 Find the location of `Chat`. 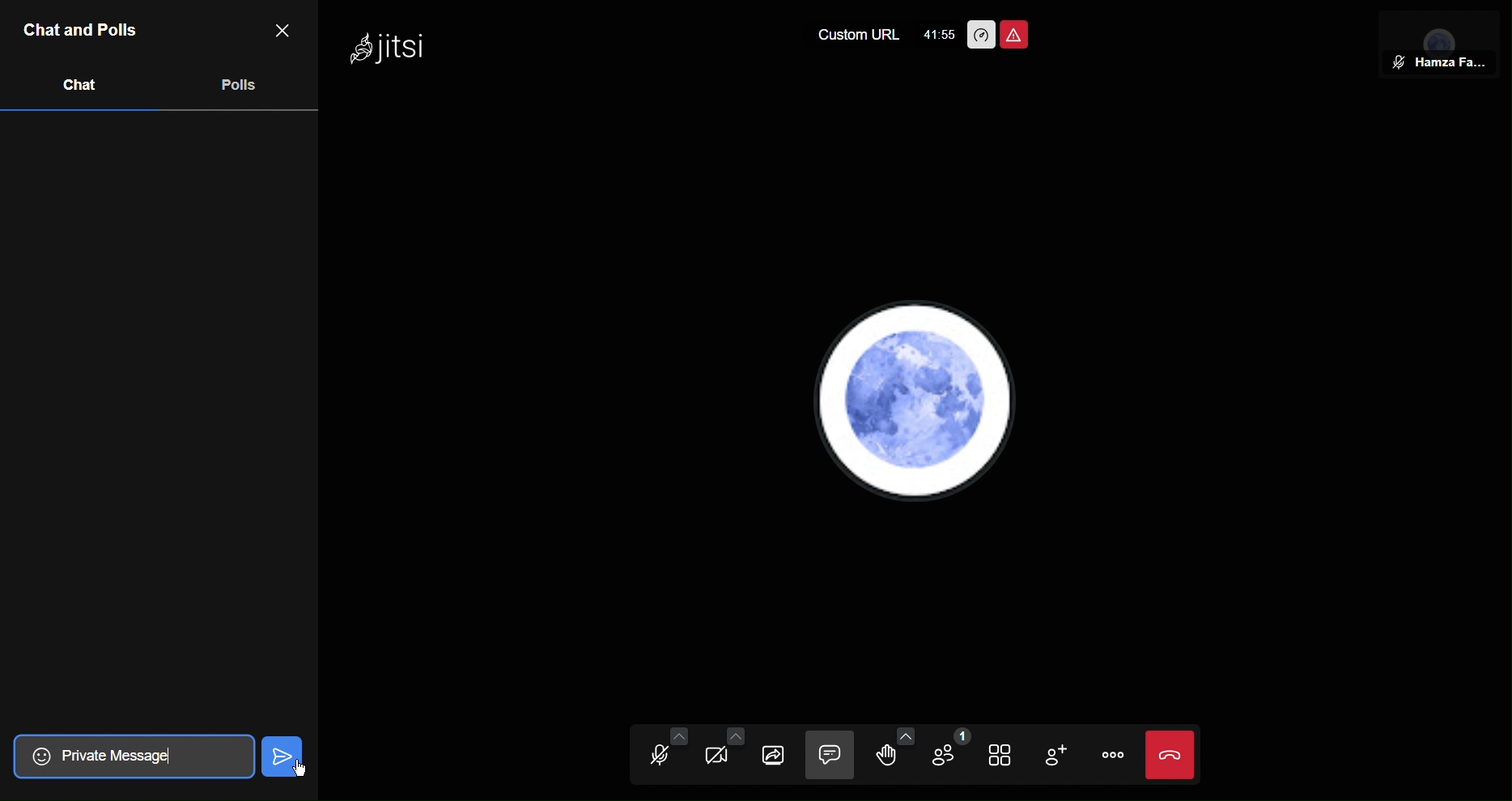

Chat is located at coordinates (829, 753).